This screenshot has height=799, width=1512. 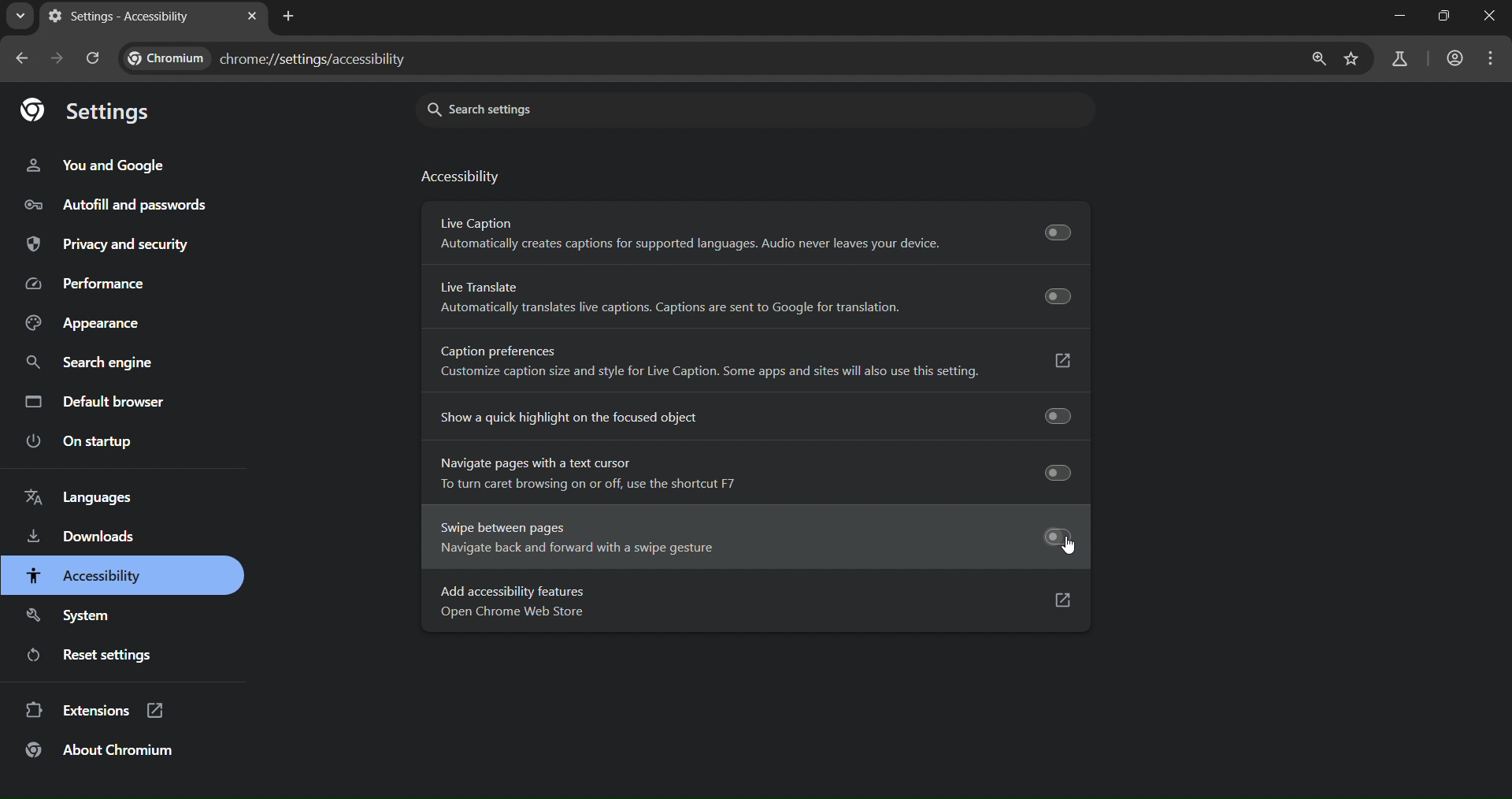 What do you see at coordinates (96, 713) in the screenshot?
I see `extensions` at bounding box center [96, 713].